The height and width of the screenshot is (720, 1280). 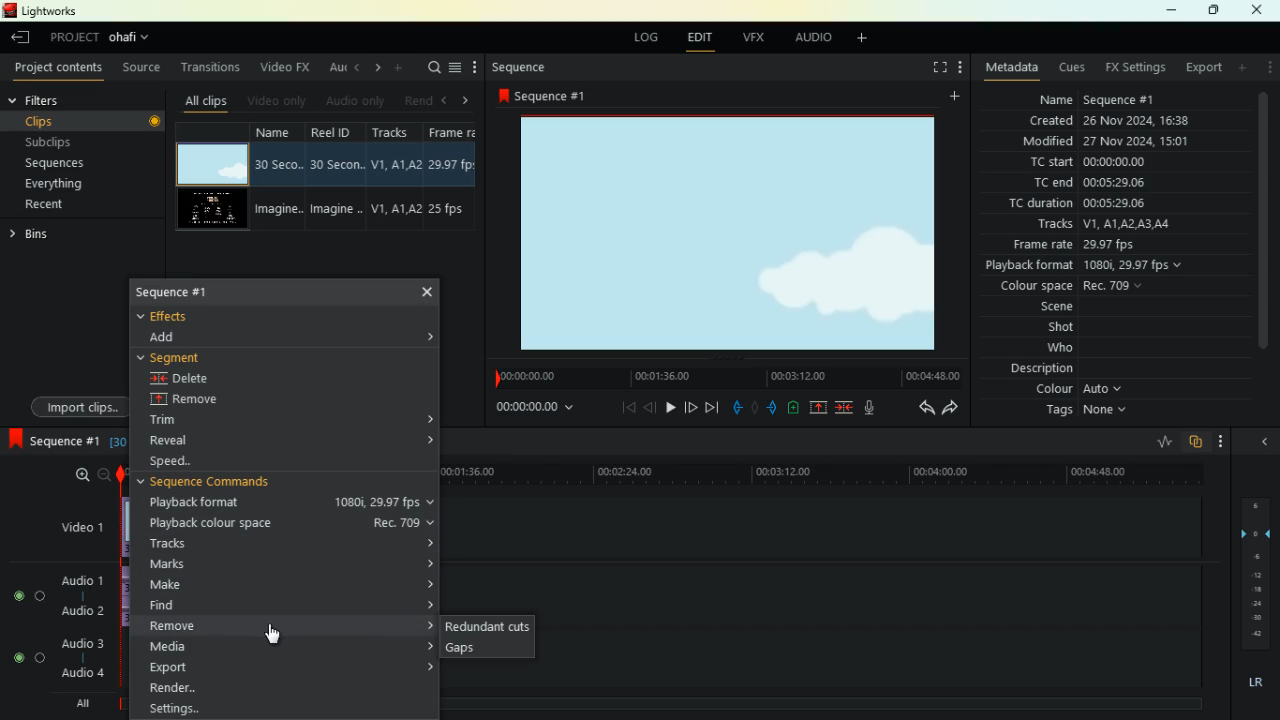 What do you see at coordinates (282, 66) in the screenshot?
I see `video fx` at bounding box center [282, 66].